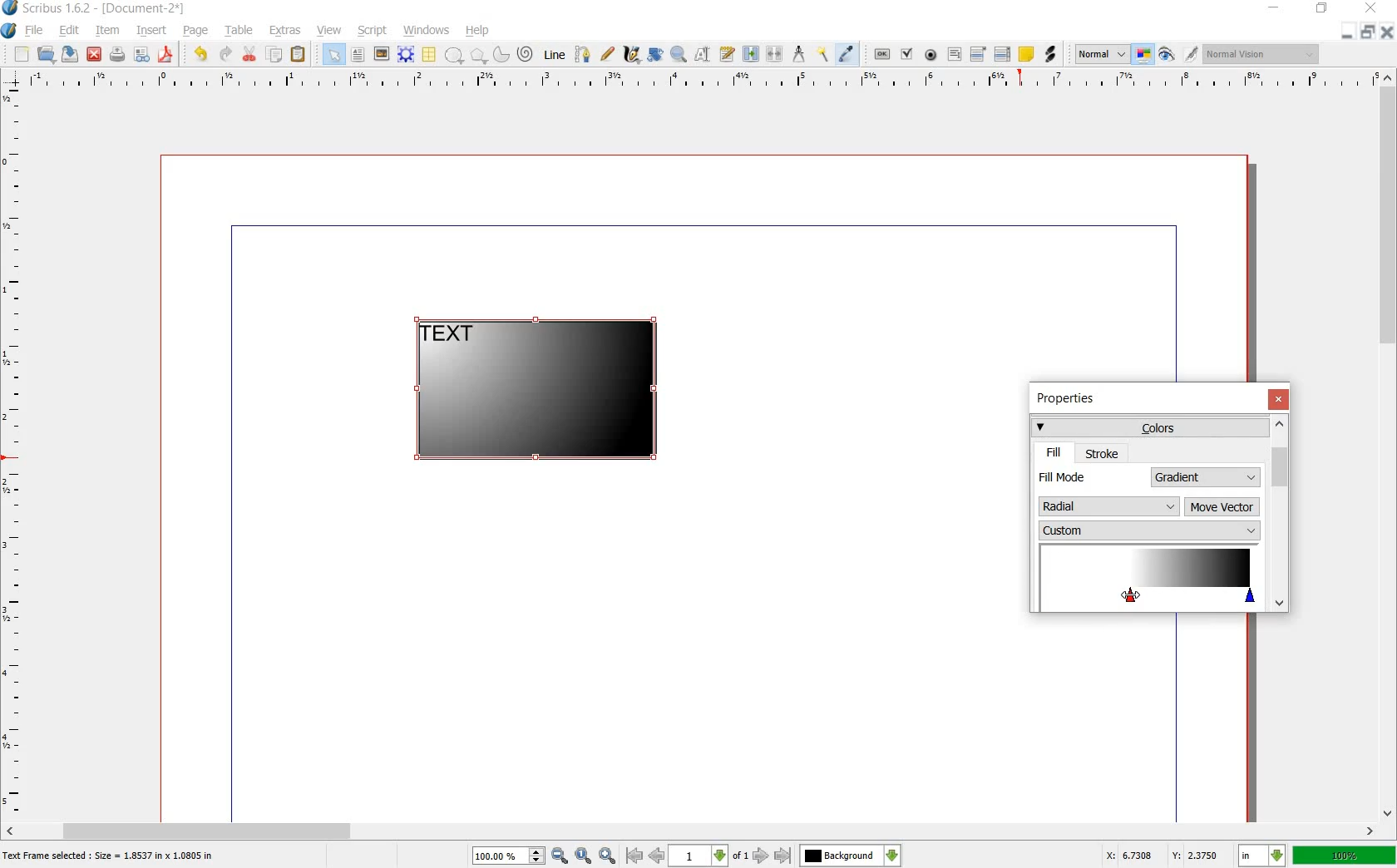 Image resolution: width=1397 pixels, height=868 pixels. What do you see at coordinates (703, 55) in the screenshot?
I see `edit contents of frame` at bounding box center [703, 55].